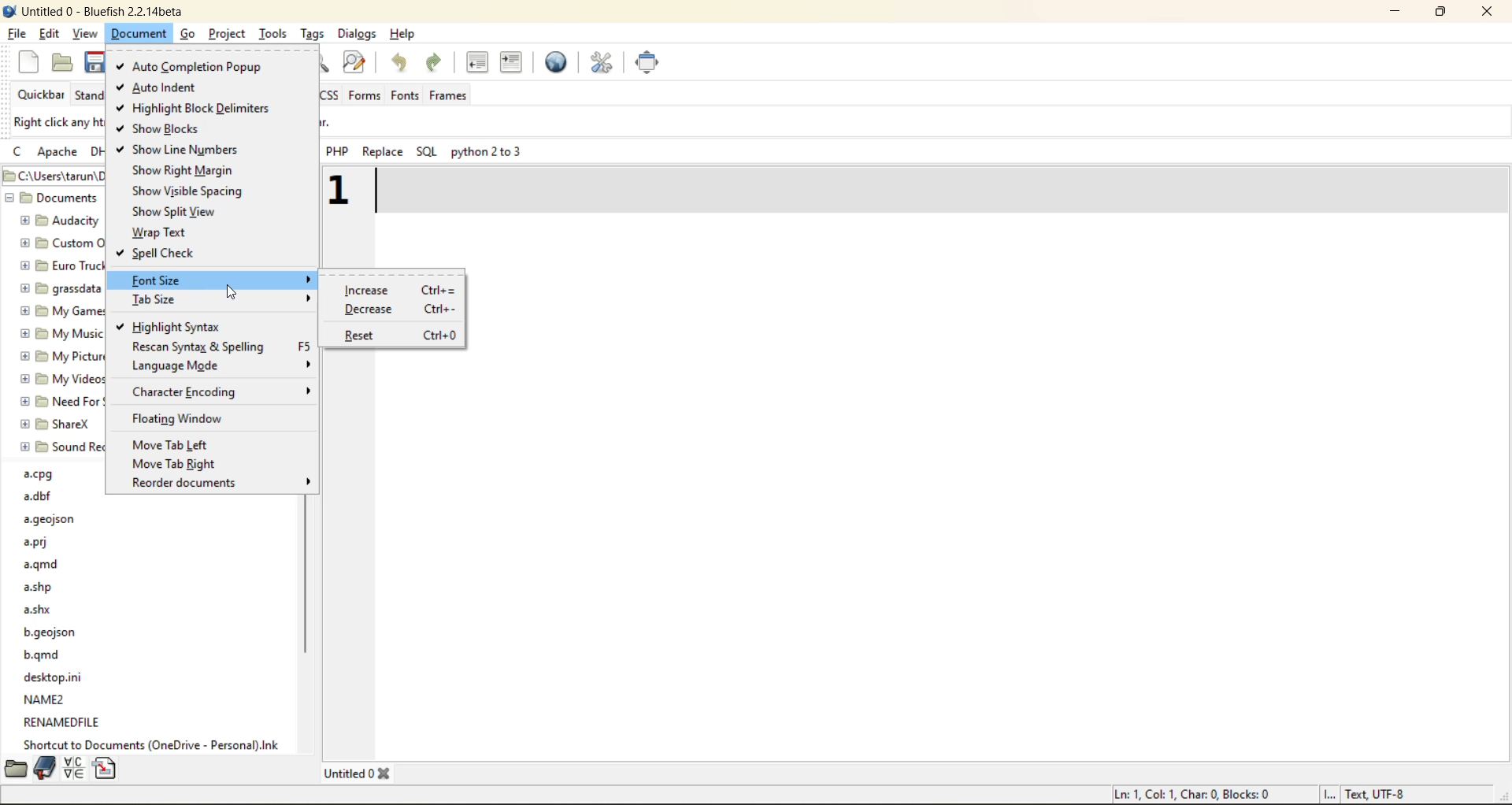  What do you see at coordinates (183, 420) in the screenshot?
I see `floating window` at bounding box center [183, 420].